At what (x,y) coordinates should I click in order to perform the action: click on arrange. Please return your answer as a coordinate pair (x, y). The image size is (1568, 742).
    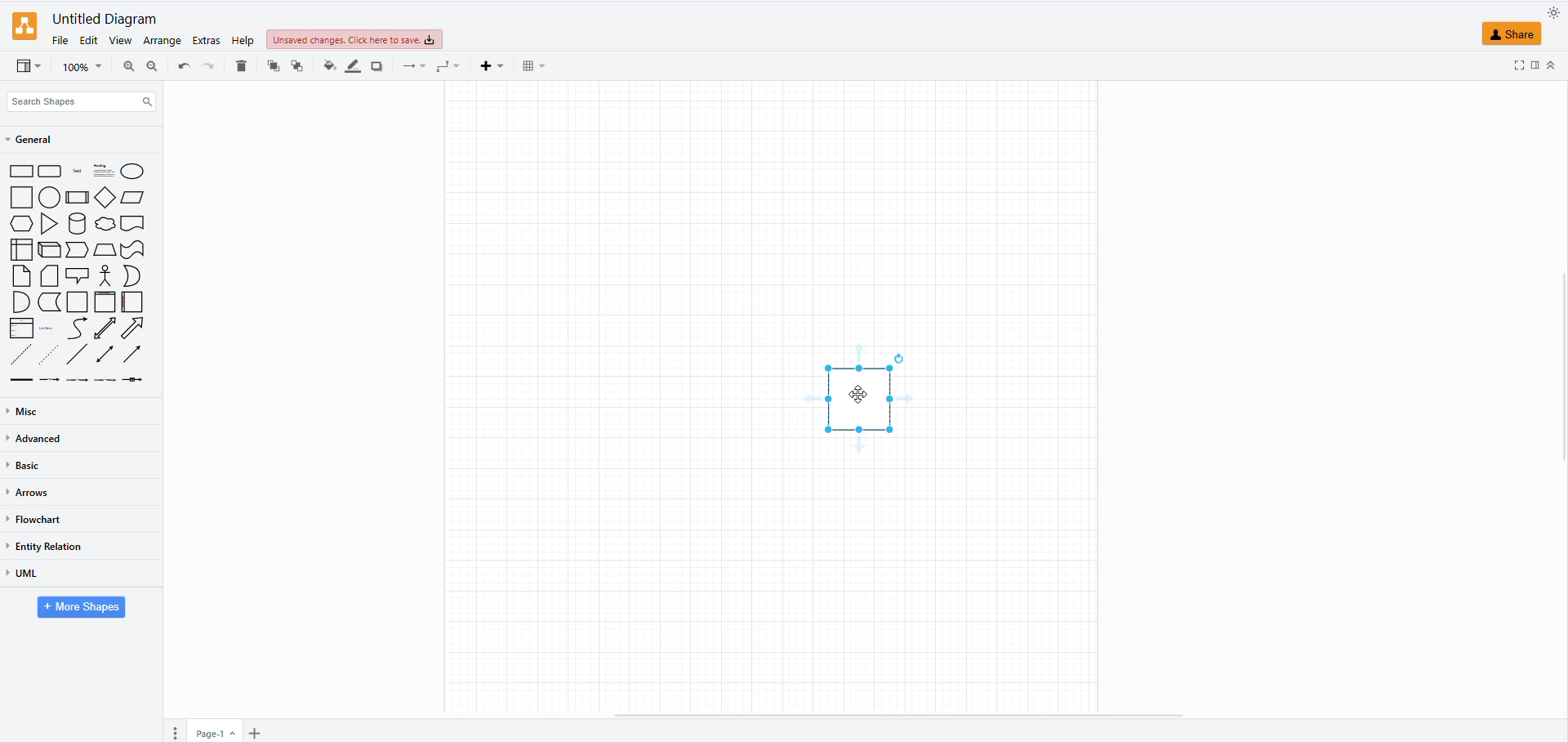
    Looking at the image, I should click on (161, 40).